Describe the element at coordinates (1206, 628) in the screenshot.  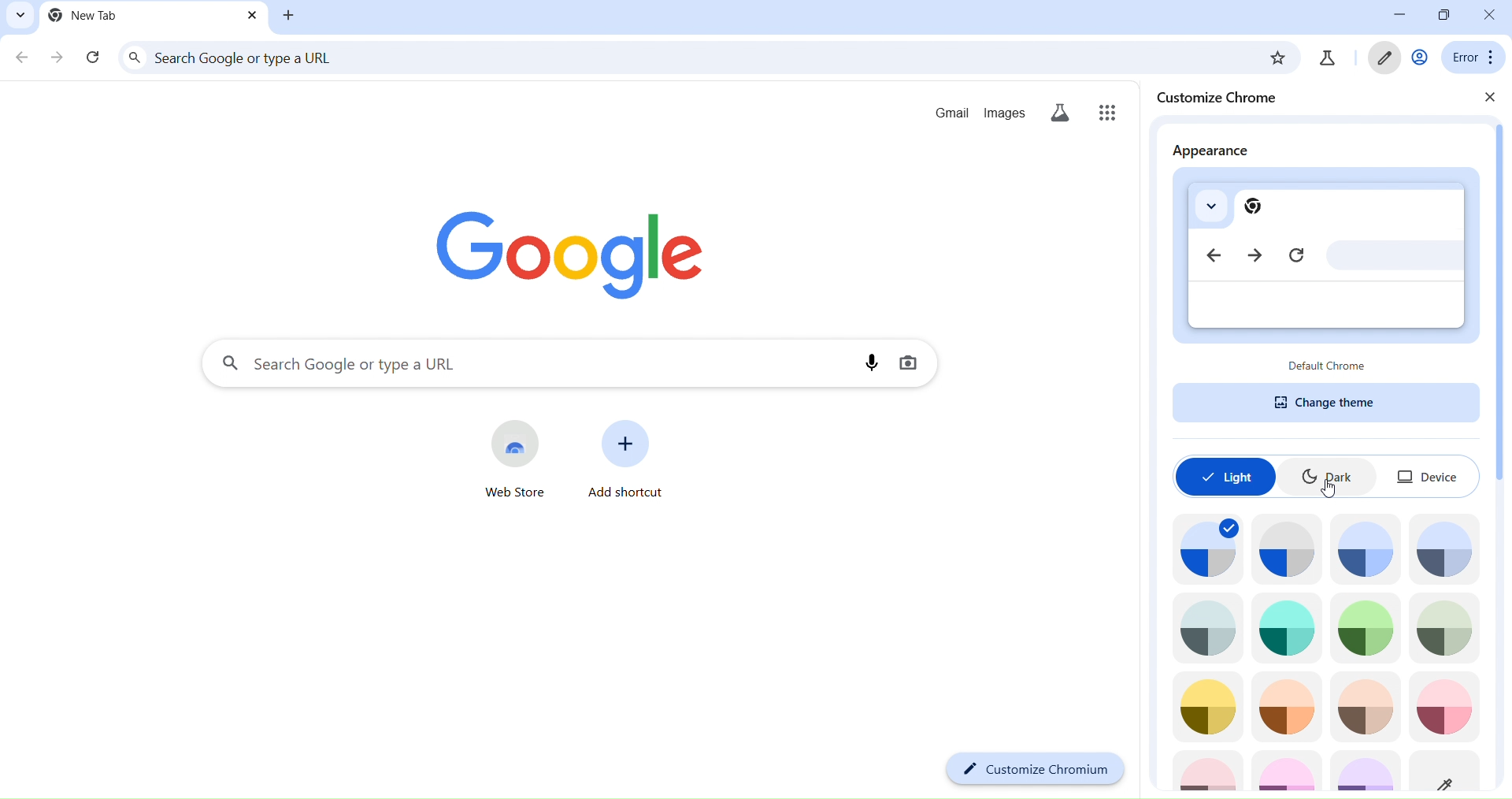
I see `theme icon` at that location.